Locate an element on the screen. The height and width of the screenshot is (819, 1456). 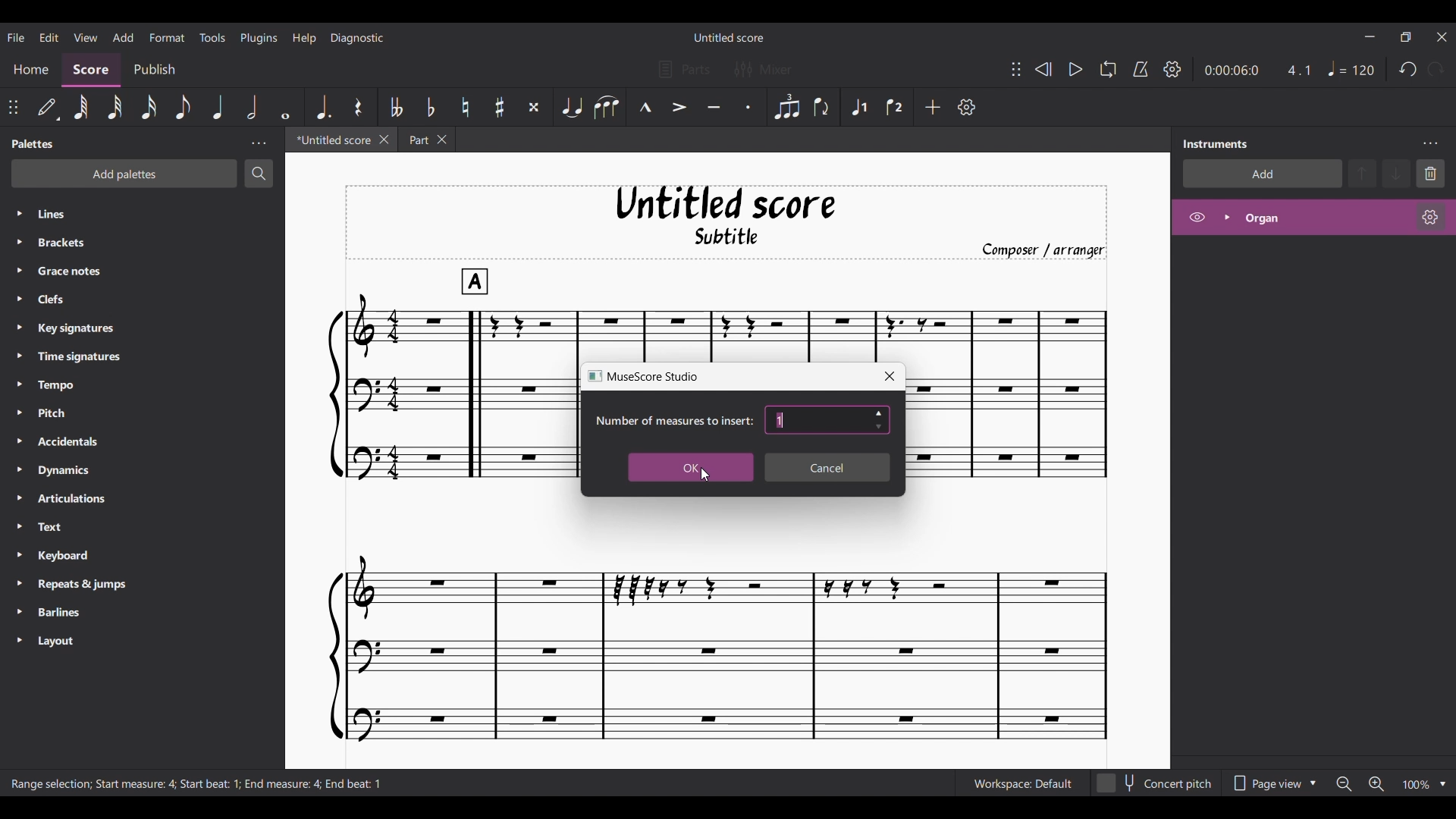
Toggle for concert pitch is located at coordinates (1155, 783).